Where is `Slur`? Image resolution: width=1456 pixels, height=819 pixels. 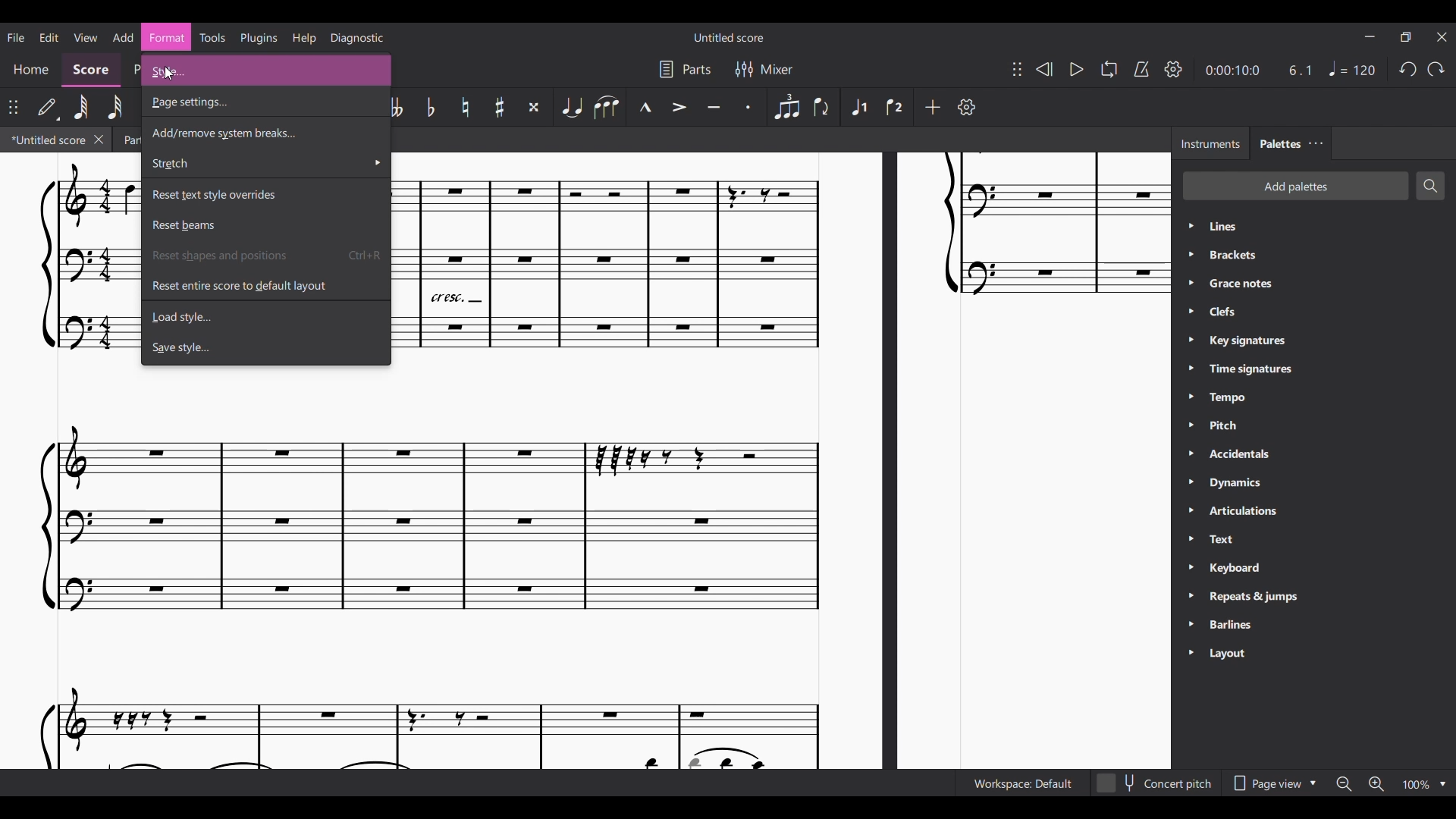 Slur is located at coordinates (607, 107).